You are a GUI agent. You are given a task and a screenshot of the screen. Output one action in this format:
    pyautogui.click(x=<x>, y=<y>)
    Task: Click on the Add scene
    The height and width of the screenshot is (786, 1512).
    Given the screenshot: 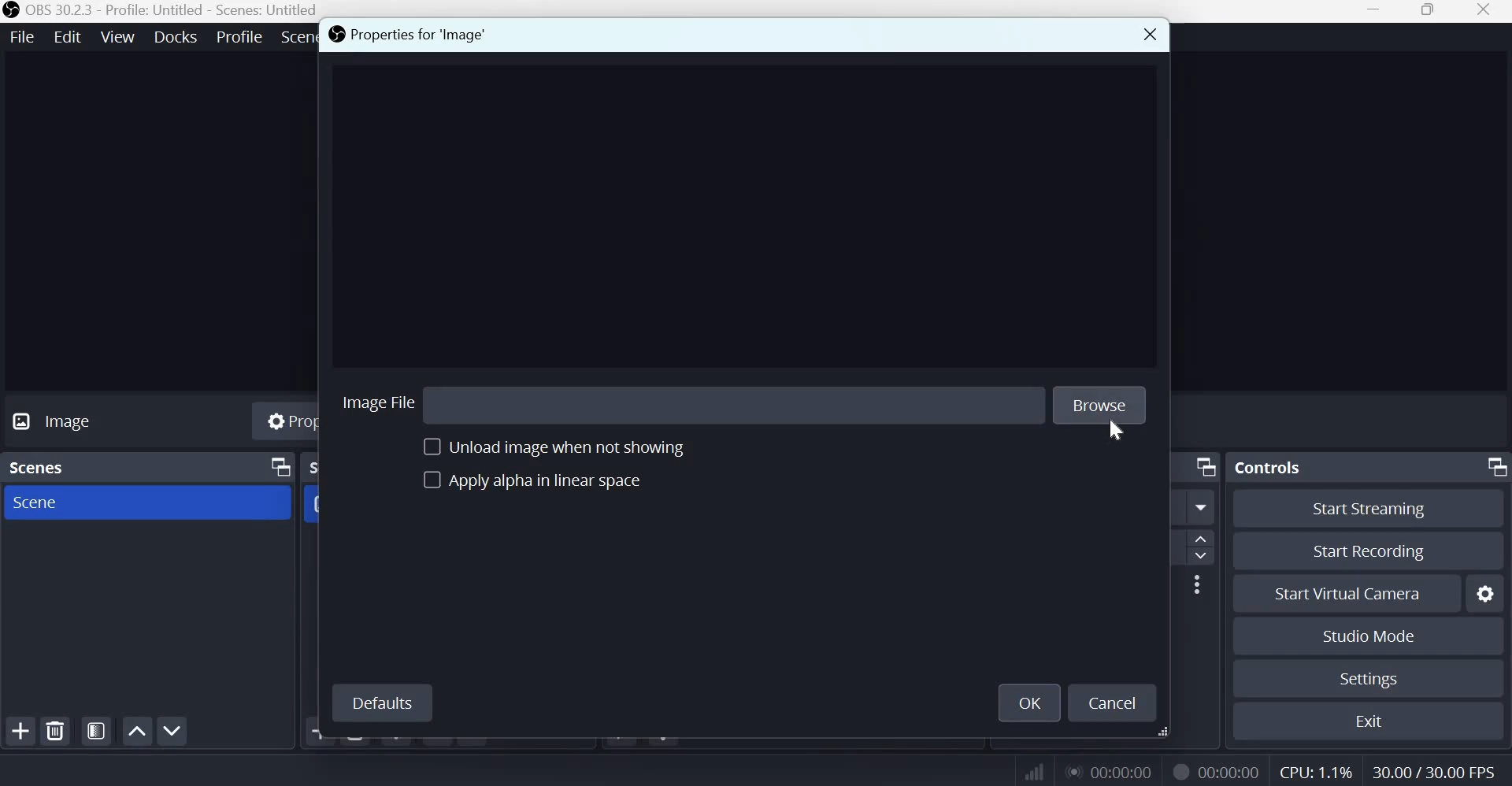 What is the action you would take?
    pyautogui.click(x=24, y=730)
    